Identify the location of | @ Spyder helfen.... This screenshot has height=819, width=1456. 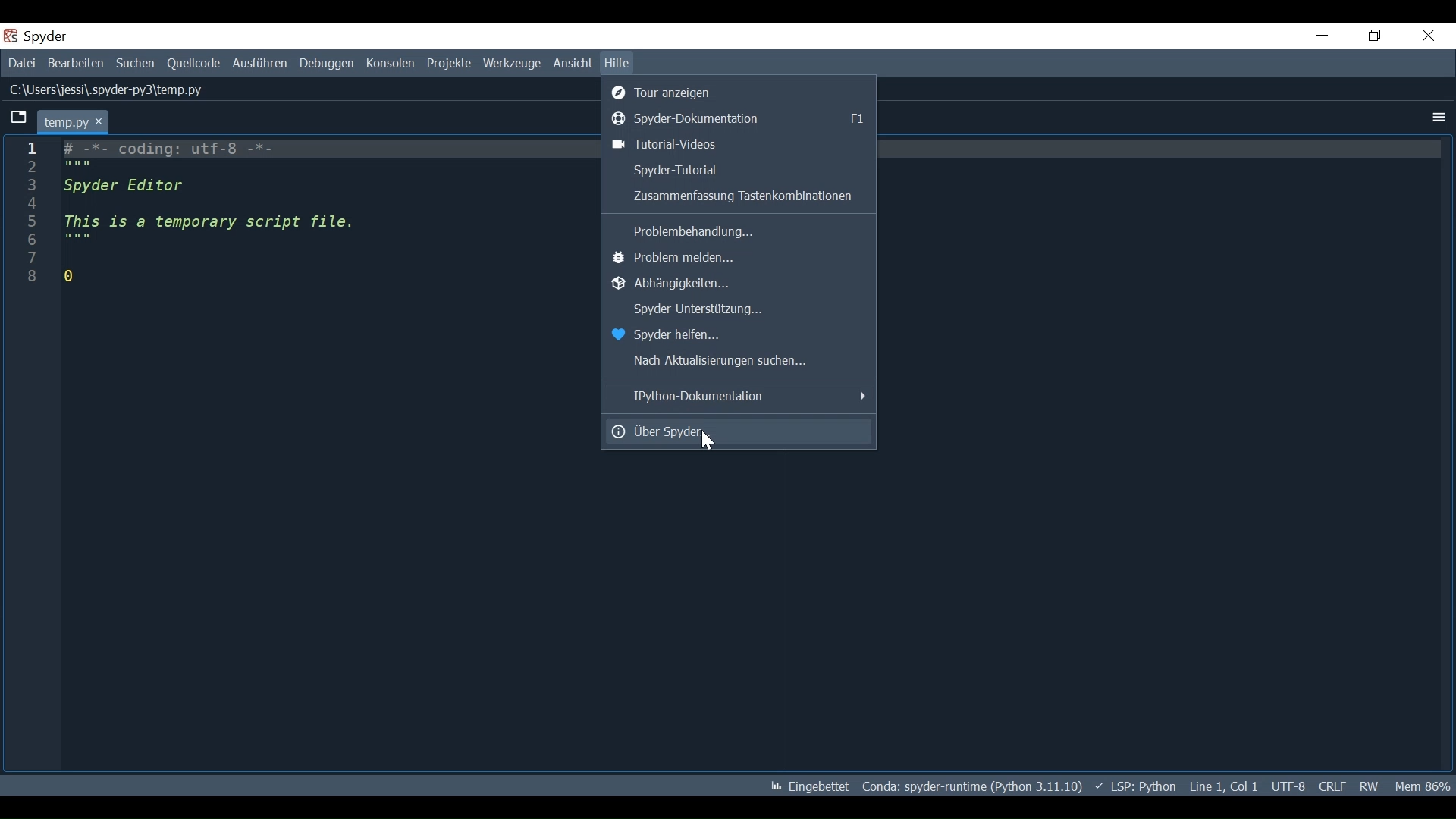
(674, 335).